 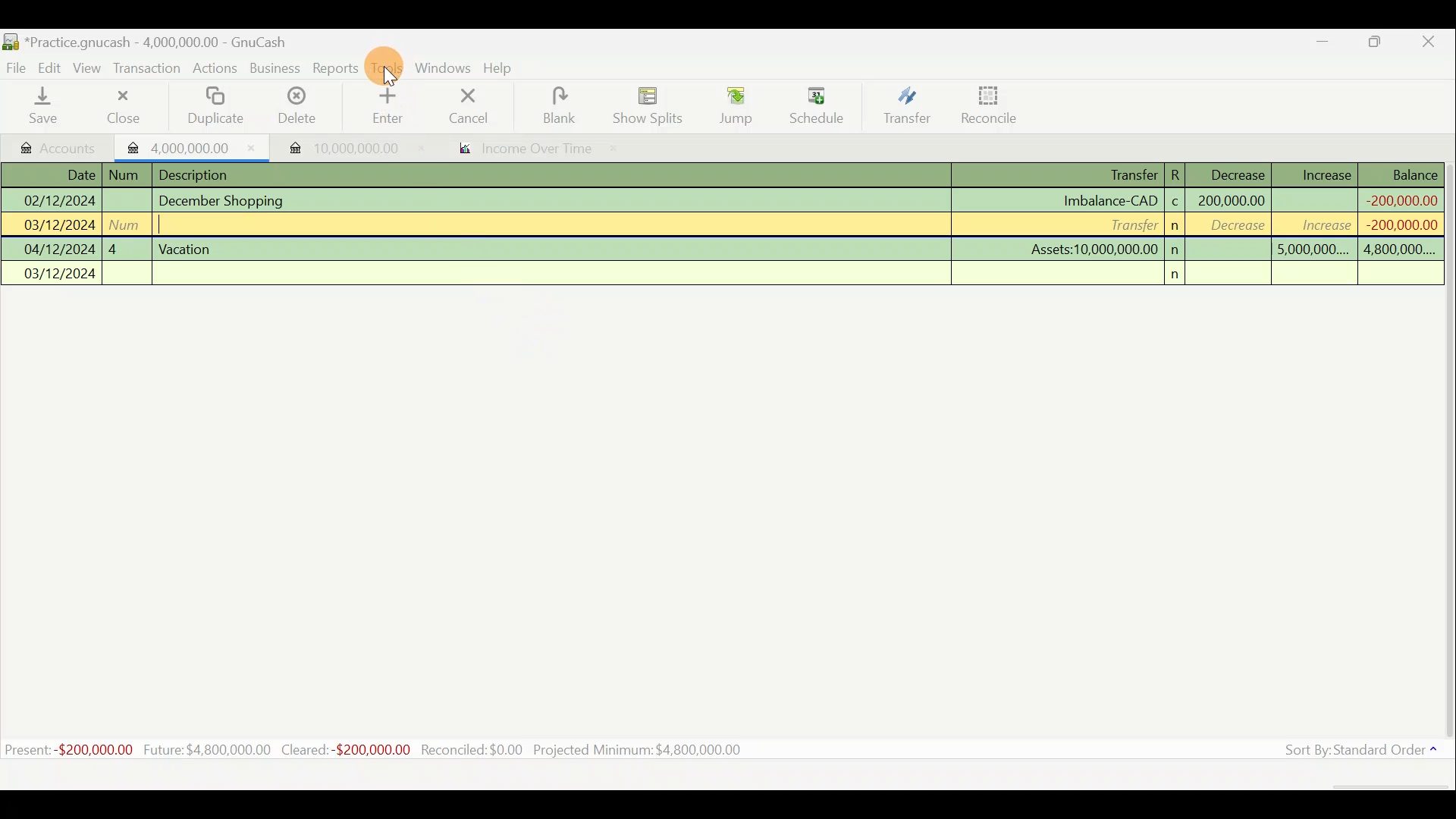 What do you see at coordinates (187, 247) in the screenshot?
I see `Vacation` at bounding box center [187, 247].